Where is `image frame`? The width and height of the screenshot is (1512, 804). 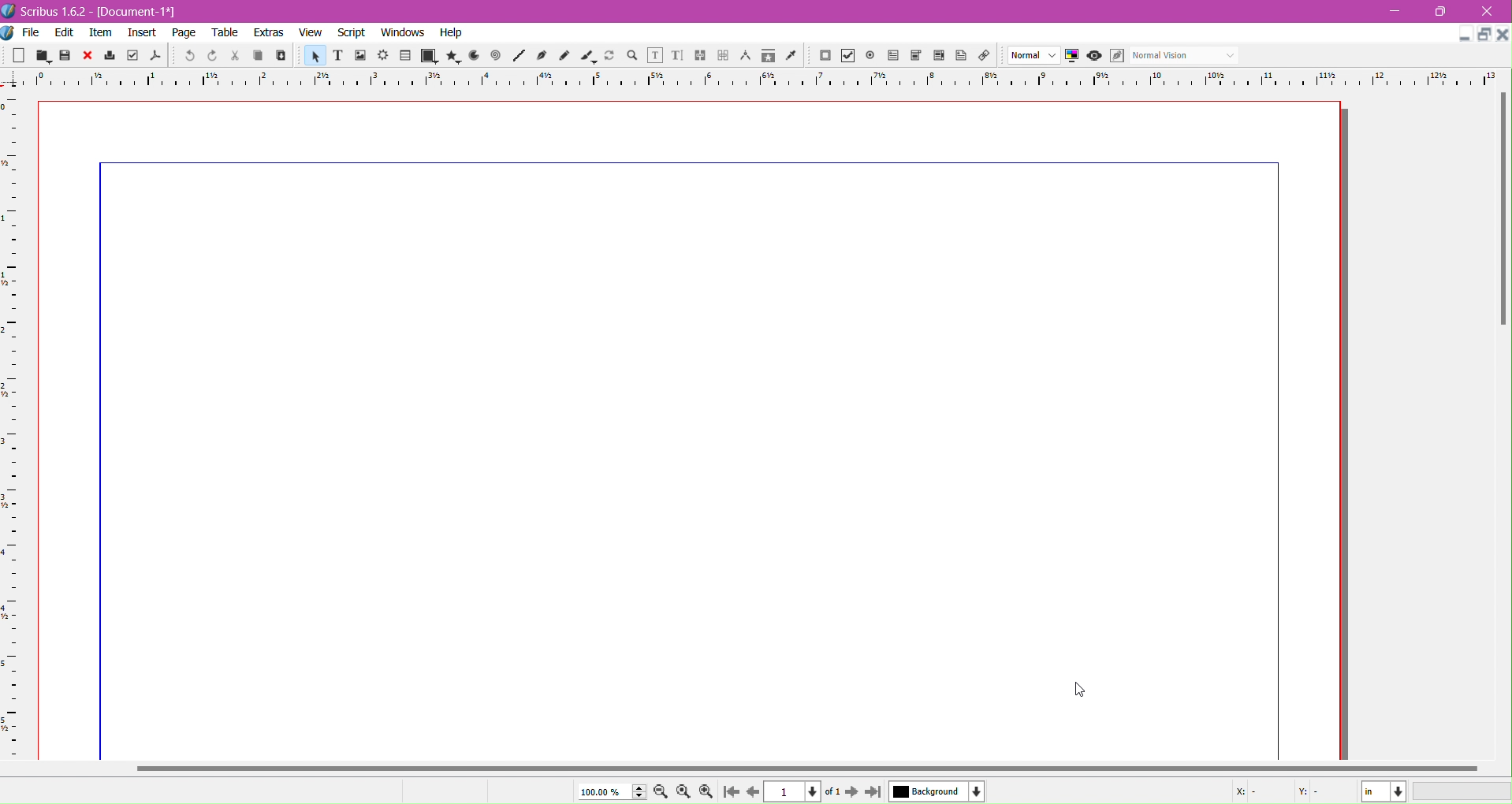 image frame is located at coordinates (359, 57).